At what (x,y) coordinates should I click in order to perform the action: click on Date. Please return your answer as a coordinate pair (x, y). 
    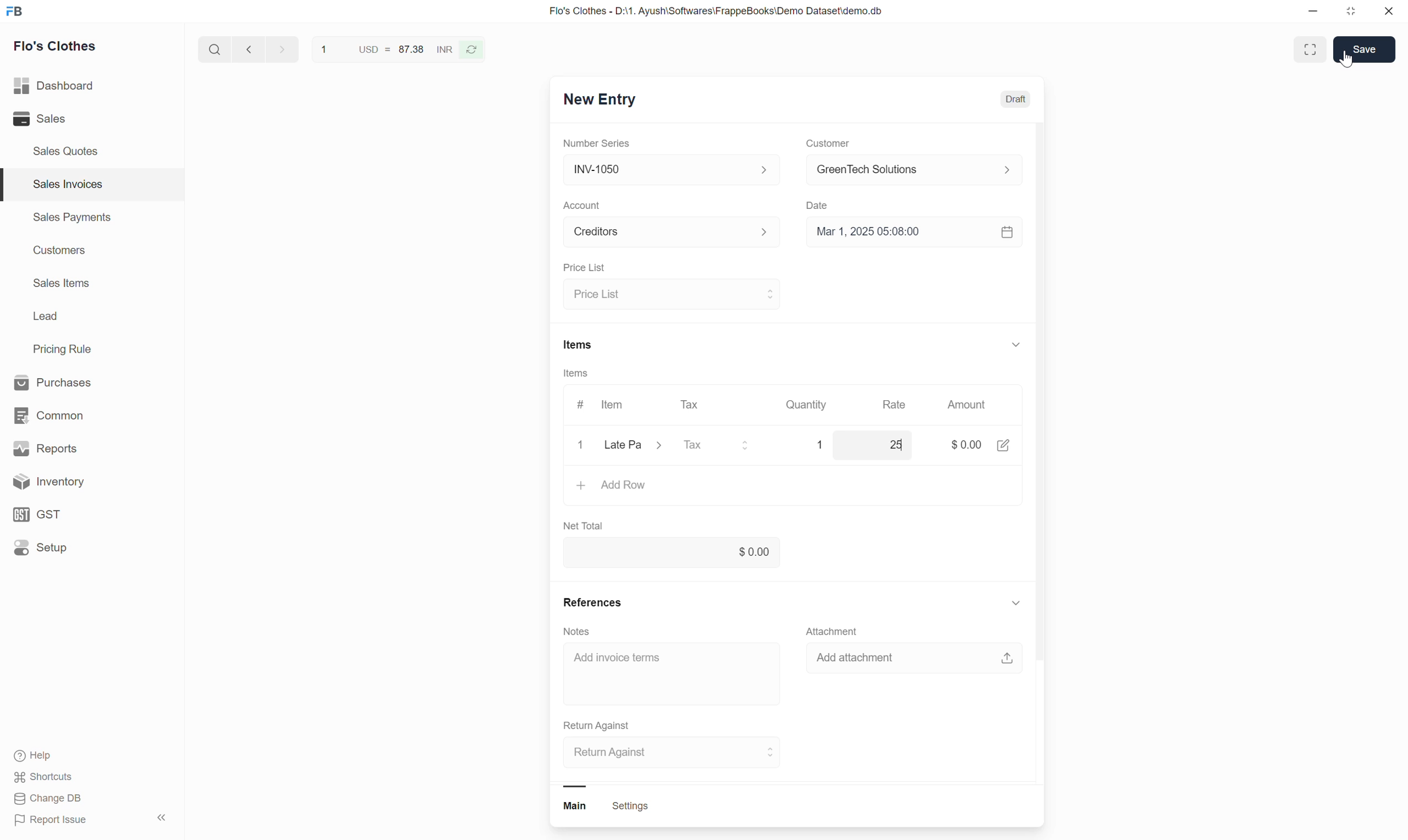
    Looking at the image, I should click on (820, 207).